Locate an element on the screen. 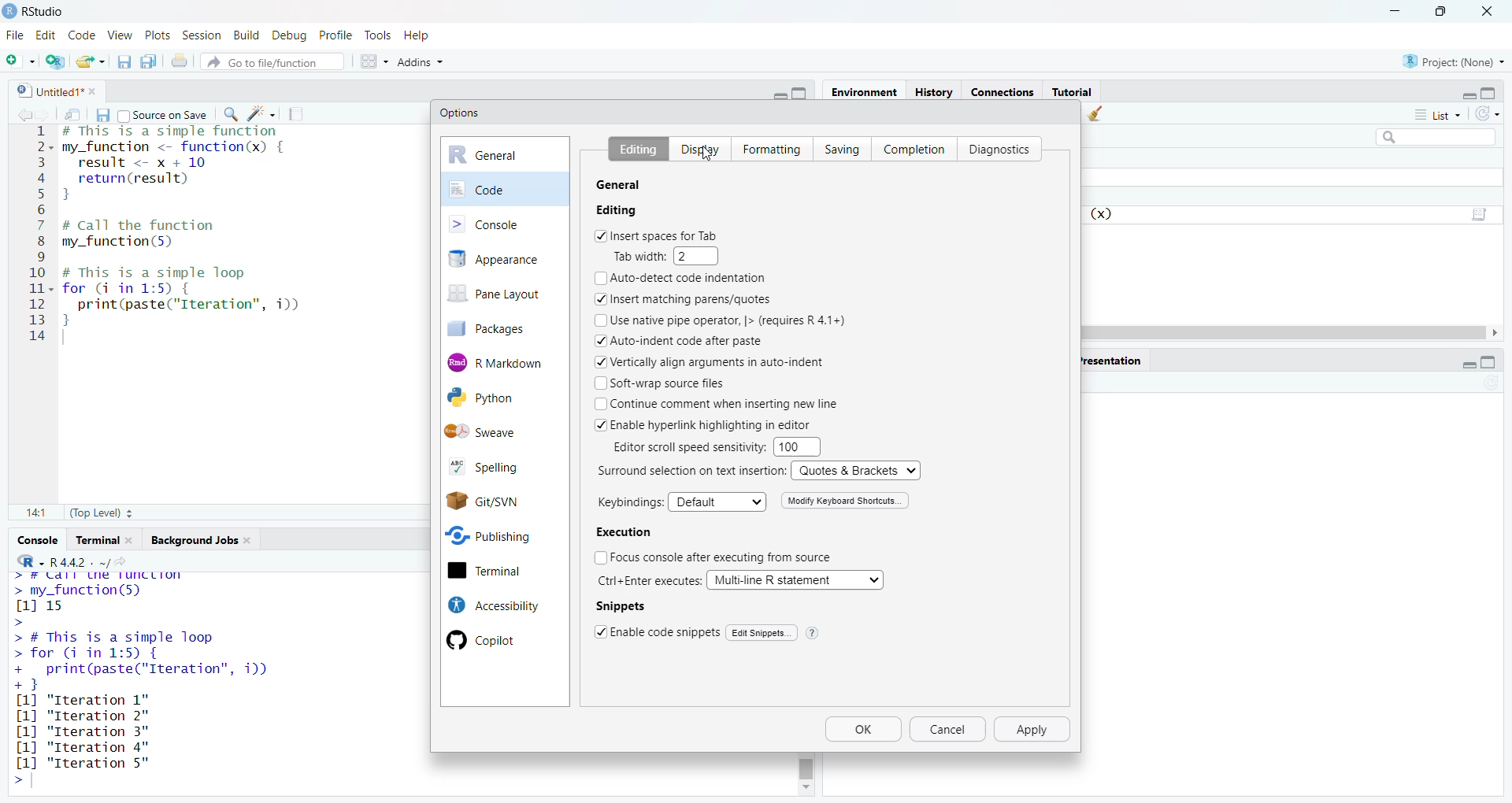 This screenshot has height=803, width=1512. untitled is located at coordinates (42, 90).